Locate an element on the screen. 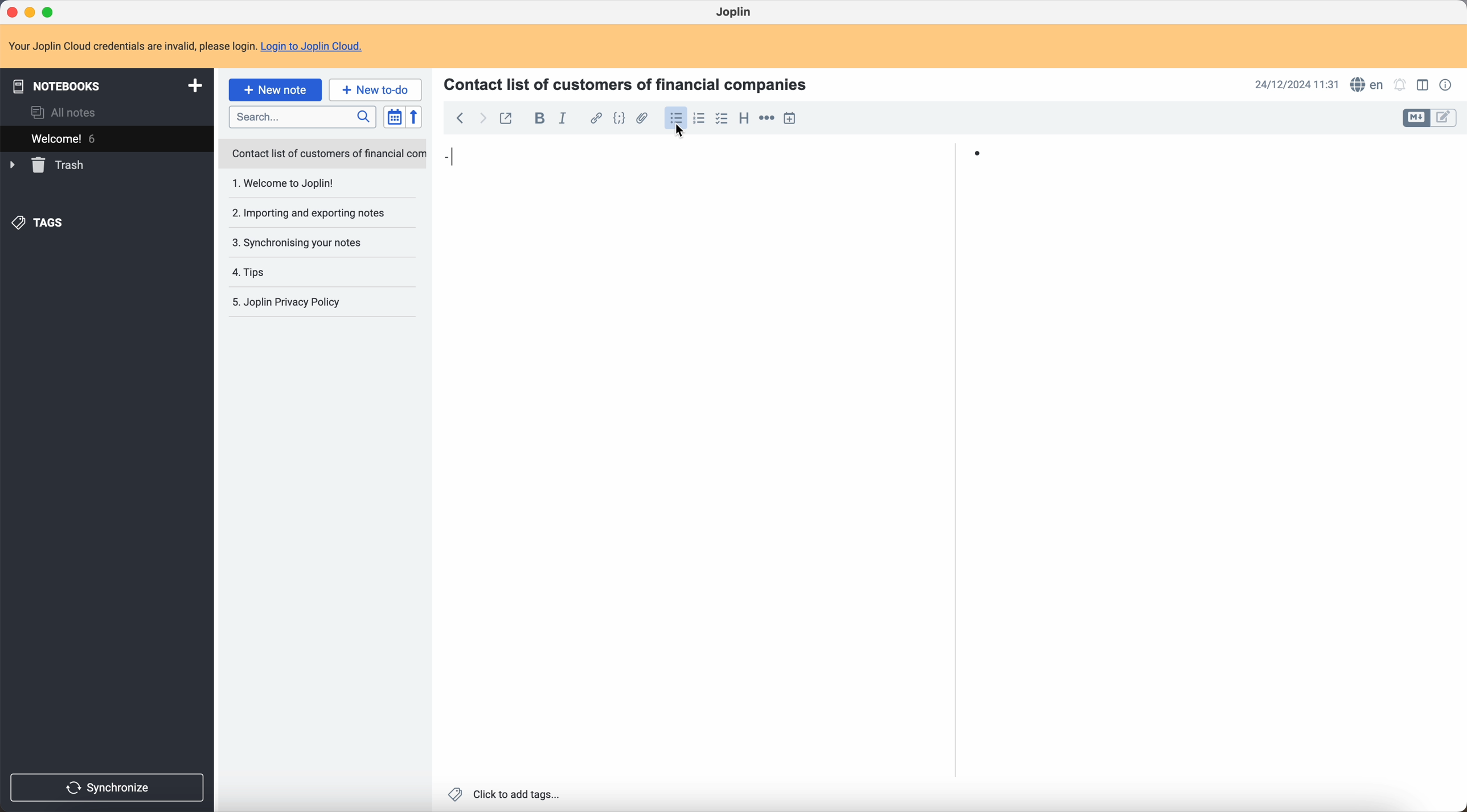 The height and width of the screenshot is (812, 1467). code is located at coordinates (619, 119).